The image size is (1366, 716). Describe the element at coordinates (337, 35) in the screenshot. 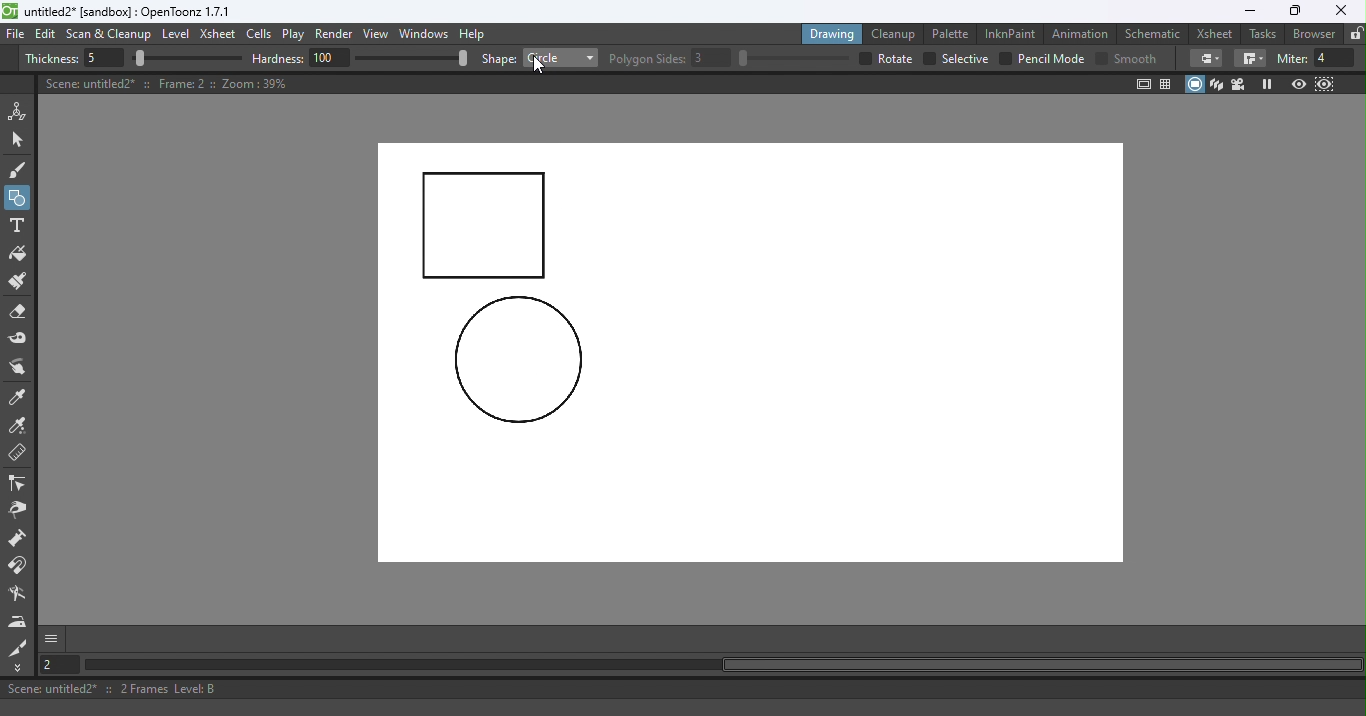

I see `Render` at that location.